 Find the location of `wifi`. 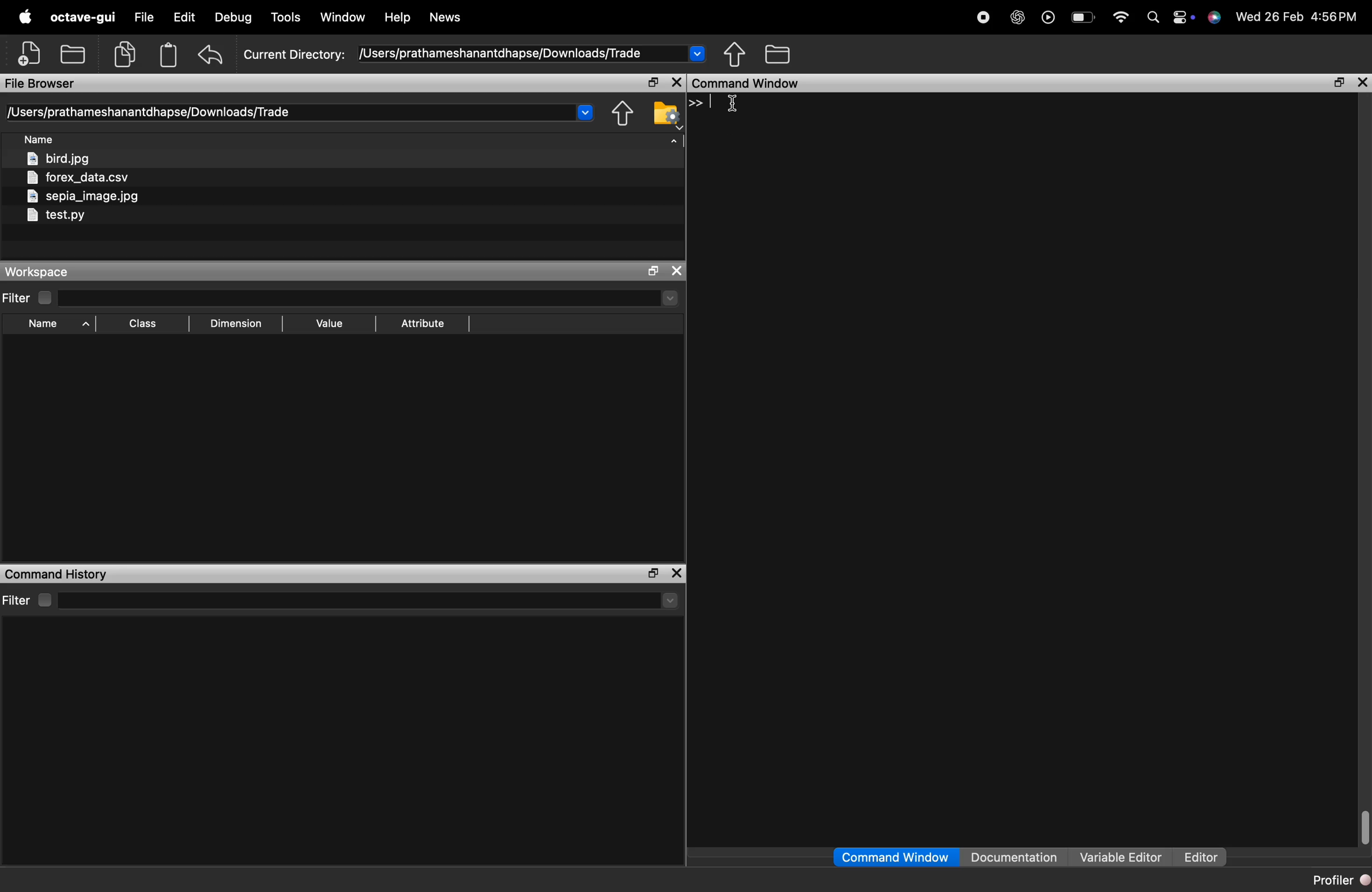

wifi is located at coordinates (1121, 18).